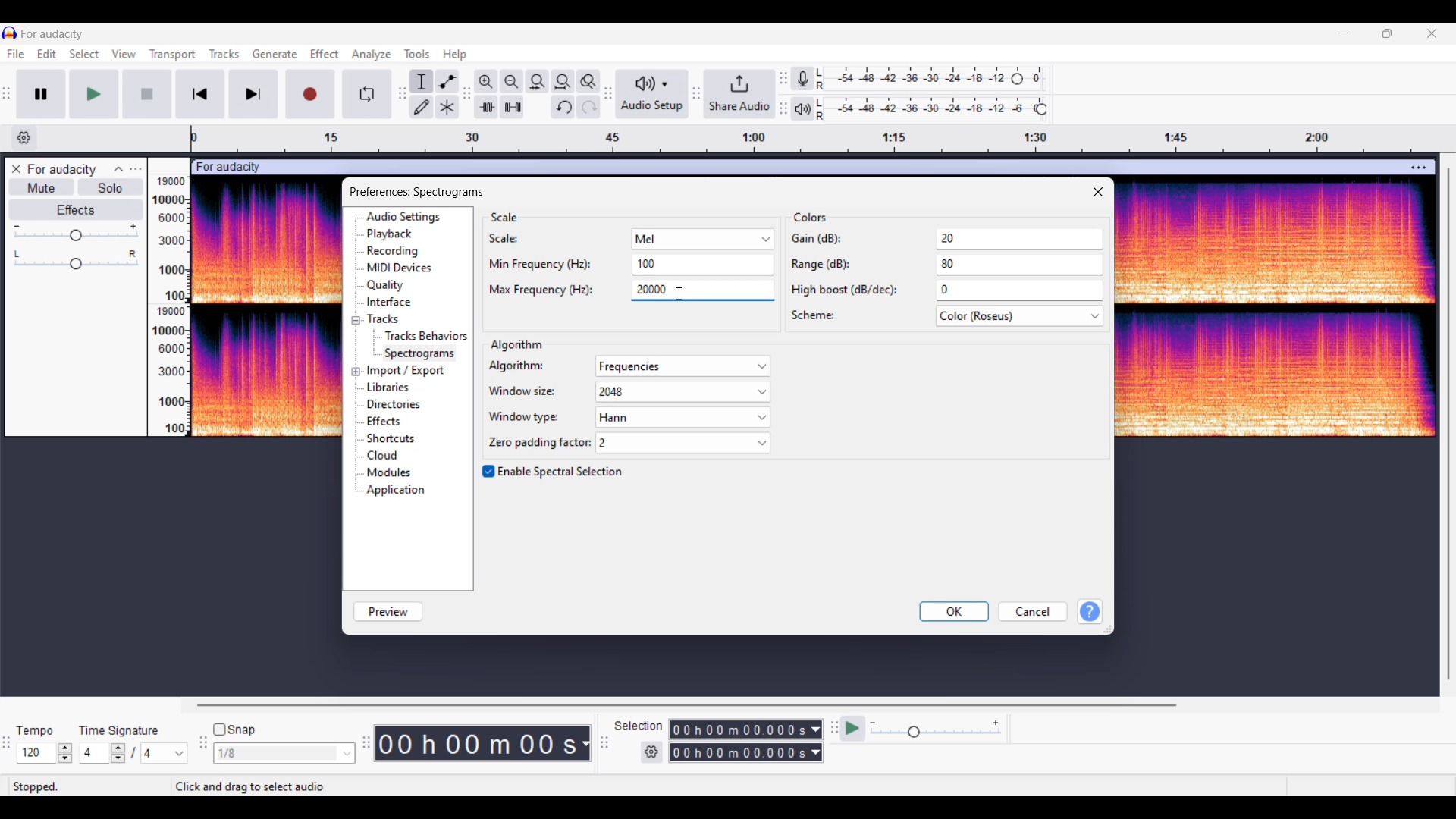 Image resolution: width=1456 pixels, height=819 pixels. I want to click on midi devices, so click(400, 268).